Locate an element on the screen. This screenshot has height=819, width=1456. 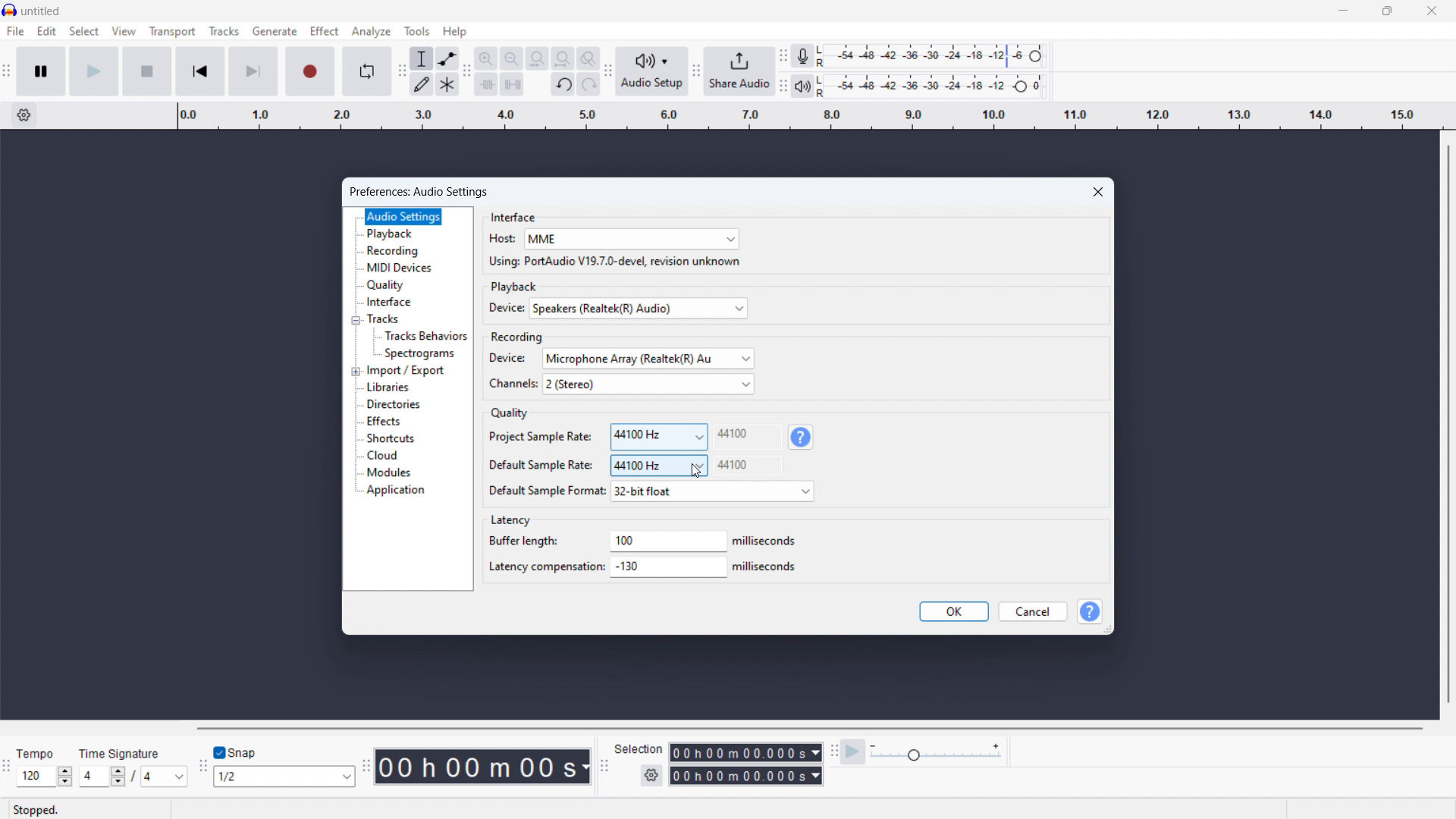
audio settings is located at coordinates (403, 217).